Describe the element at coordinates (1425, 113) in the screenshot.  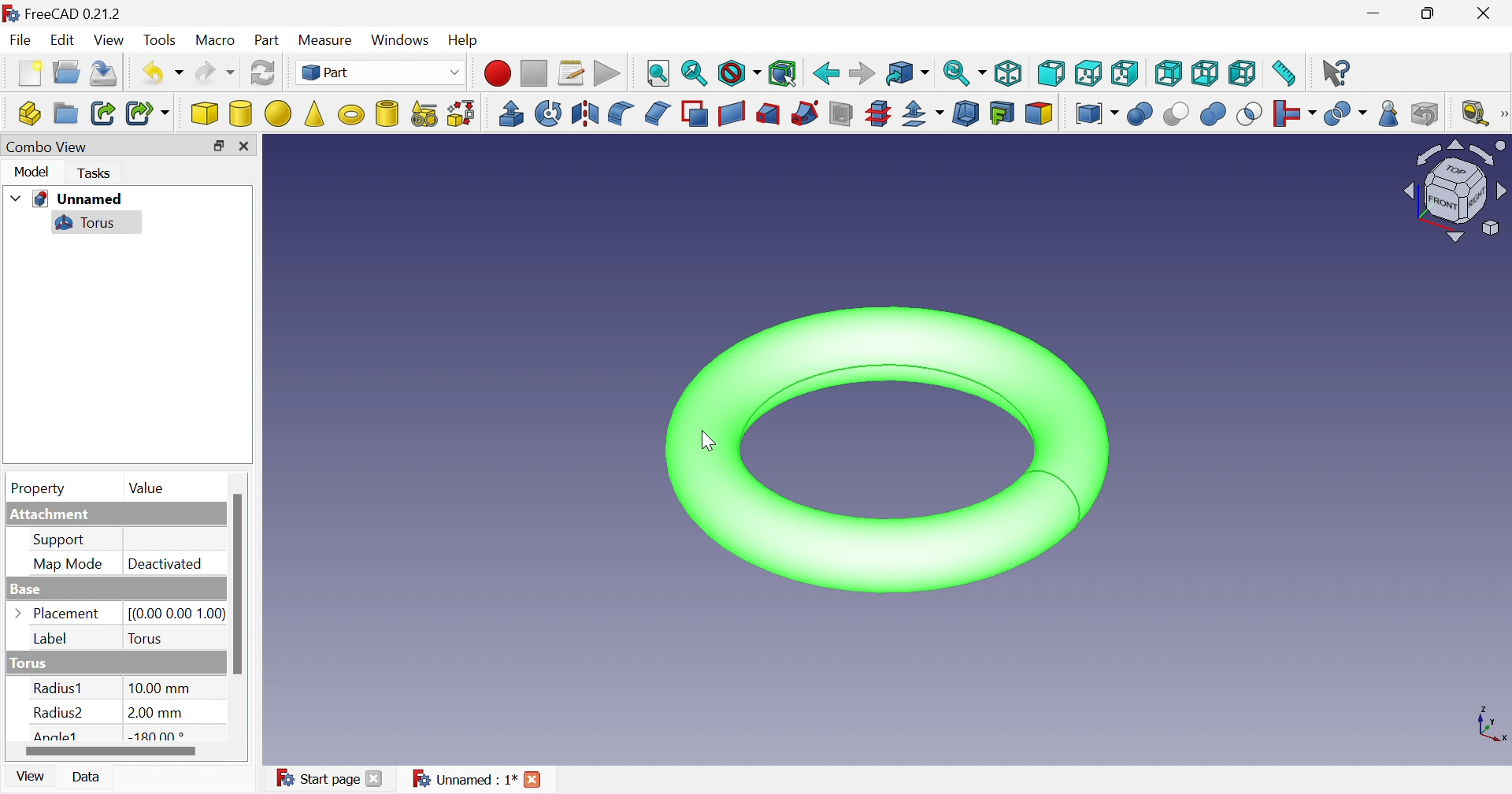
I see `Defeaturing` at that location.